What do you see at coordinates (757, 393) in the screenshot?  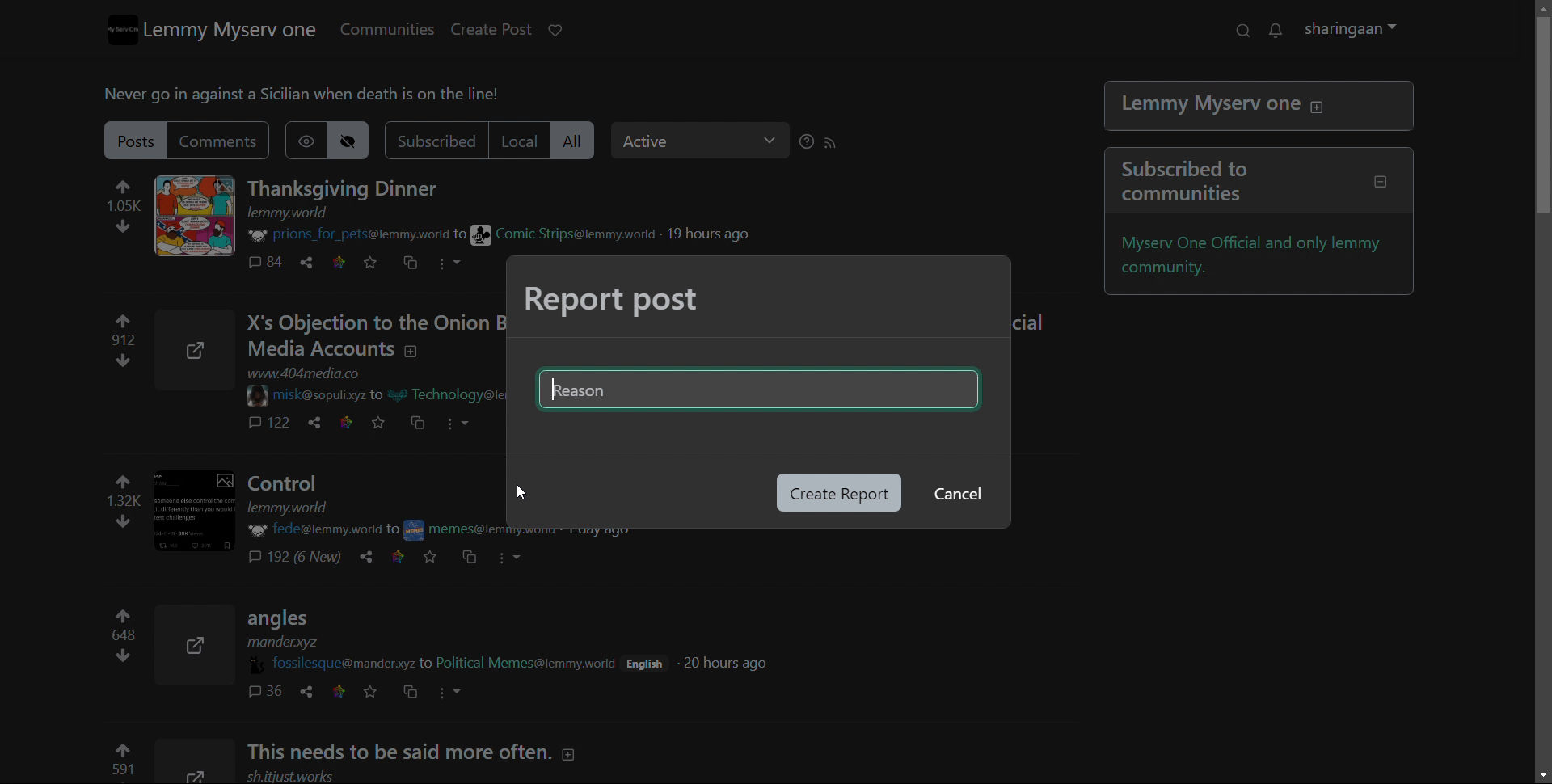 I see `type reason` at bounding box center [757, 393].